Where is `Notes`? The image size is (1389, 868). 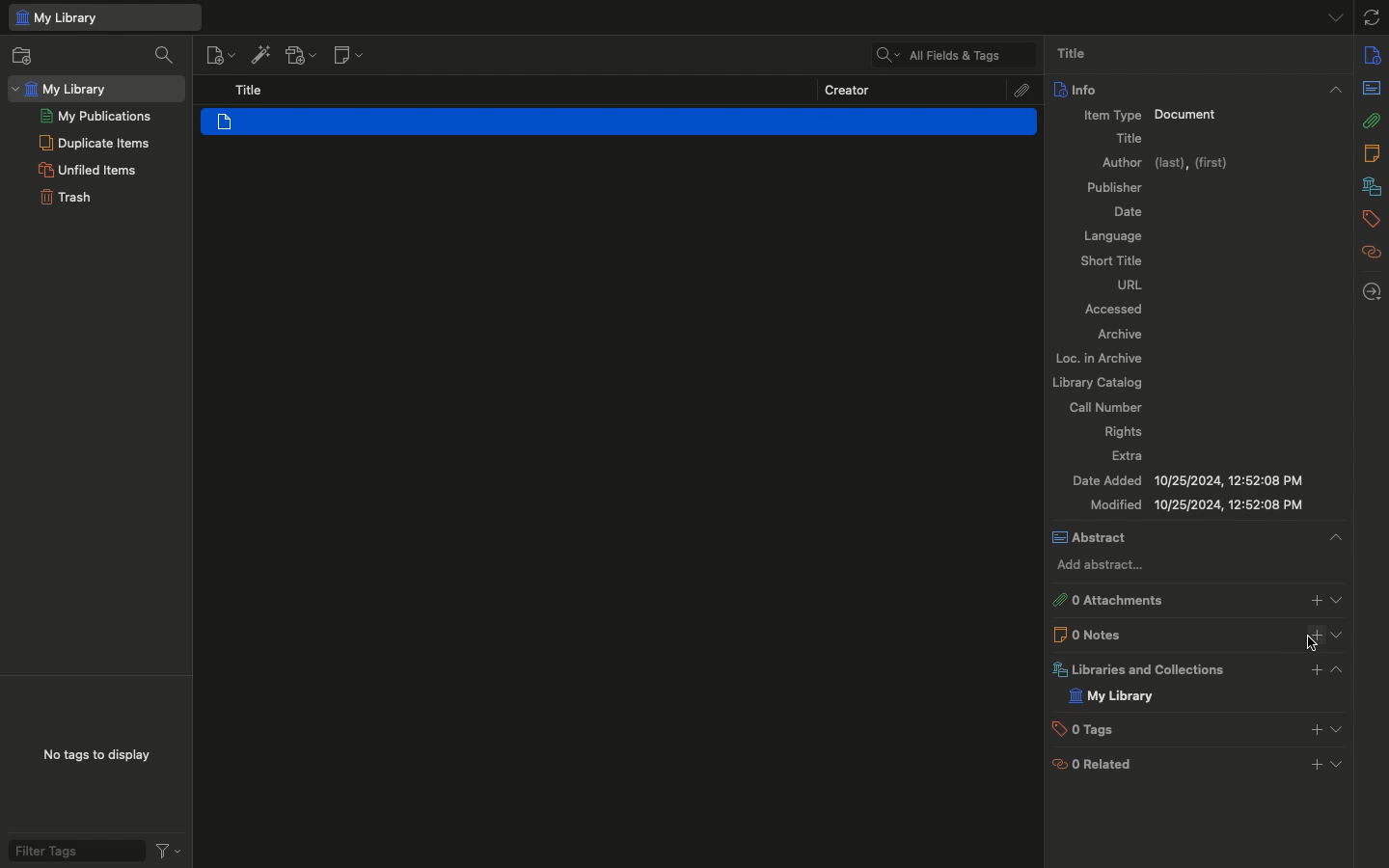
Notes is located at coordinates (1374, 153).